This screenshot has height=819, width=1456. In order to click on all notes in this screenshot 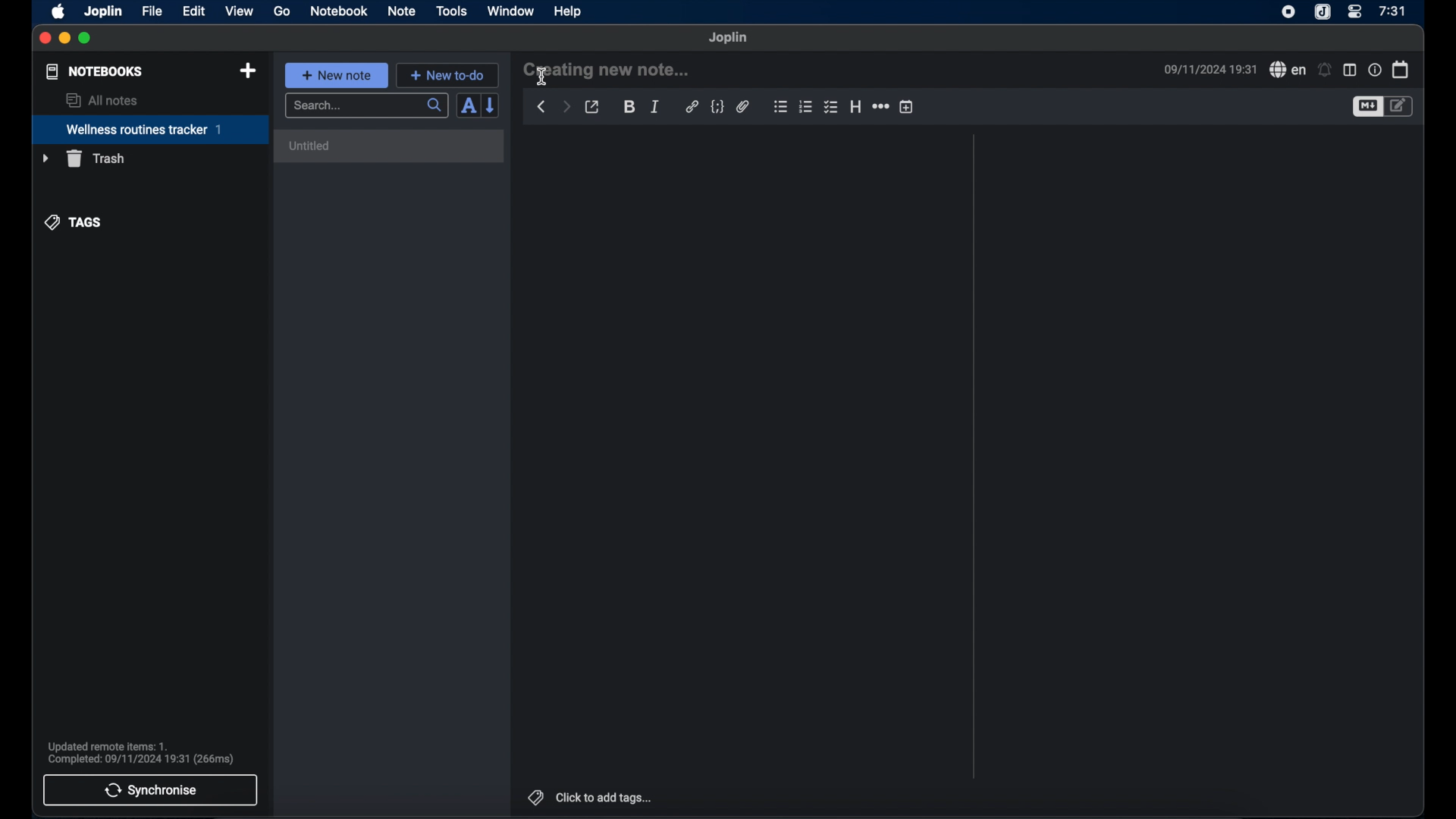, I will do `click(101, 99)`.